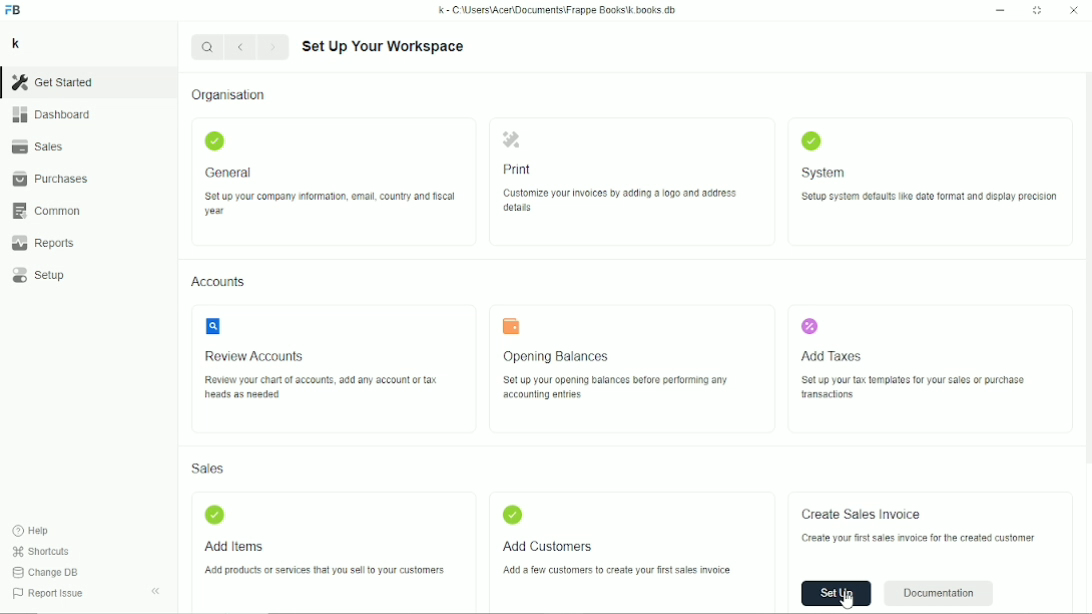  I want to click on Common, so click(47, 211).